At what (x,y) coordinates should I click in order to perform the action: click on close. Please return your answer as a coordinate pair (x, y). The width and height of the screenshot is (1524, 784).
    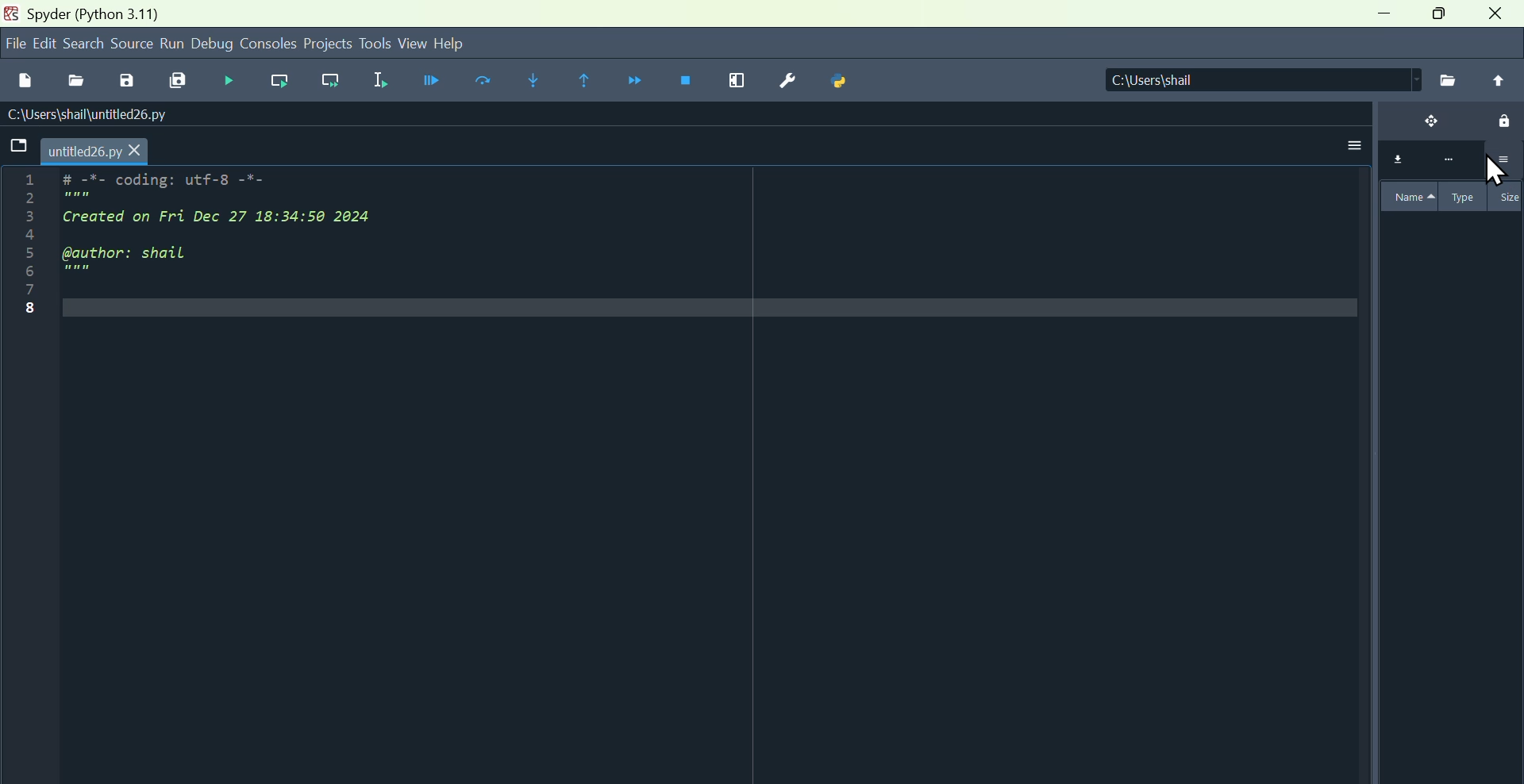
    Looking at the image, I should click on (1499, 17).